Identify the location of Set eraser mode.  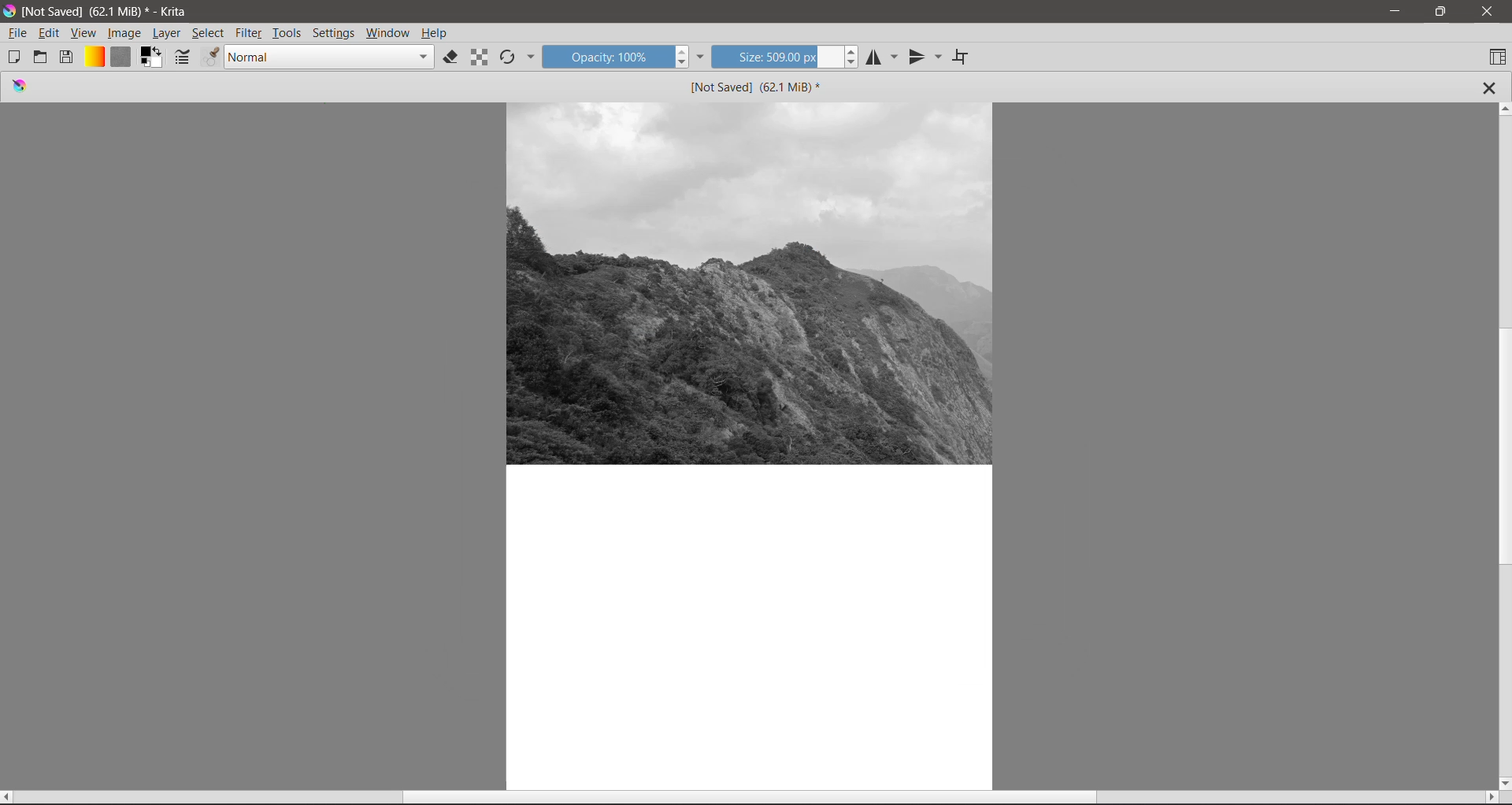
(450, 57).